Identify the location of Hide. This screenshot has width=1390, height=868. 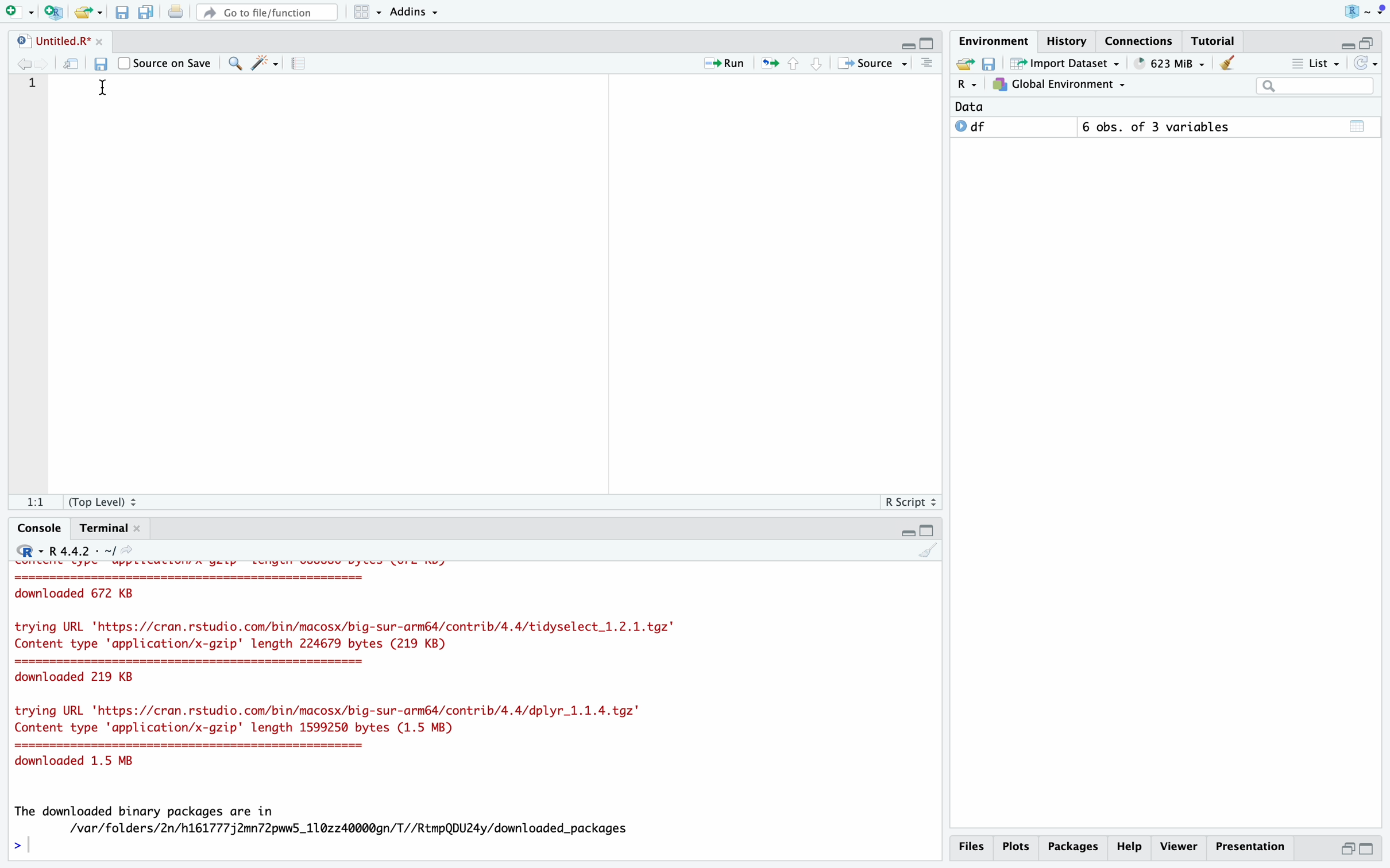
(906, 44).